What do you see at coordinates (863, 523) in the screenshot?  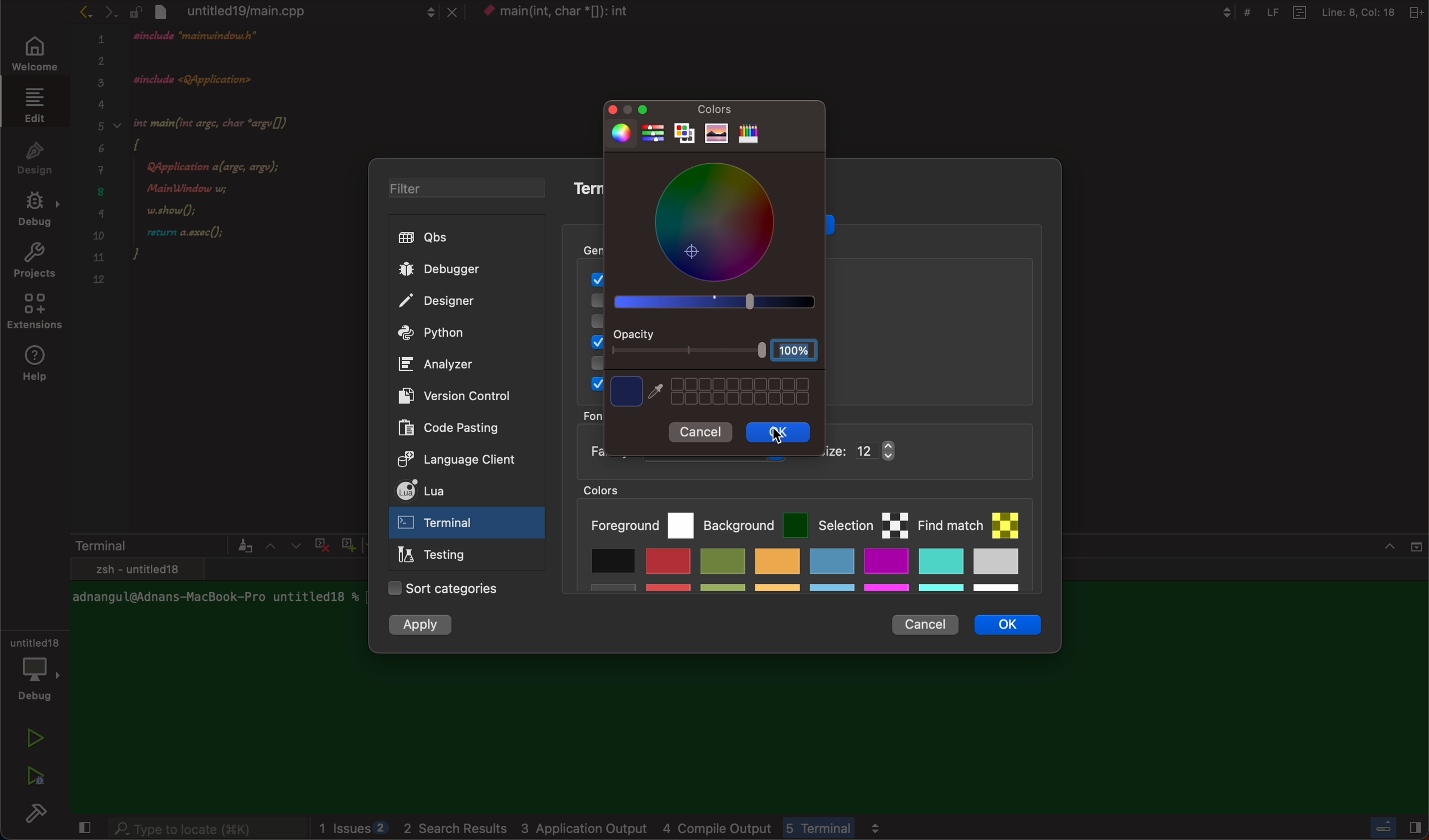 I see `selection` at bounding box center [863, 523].